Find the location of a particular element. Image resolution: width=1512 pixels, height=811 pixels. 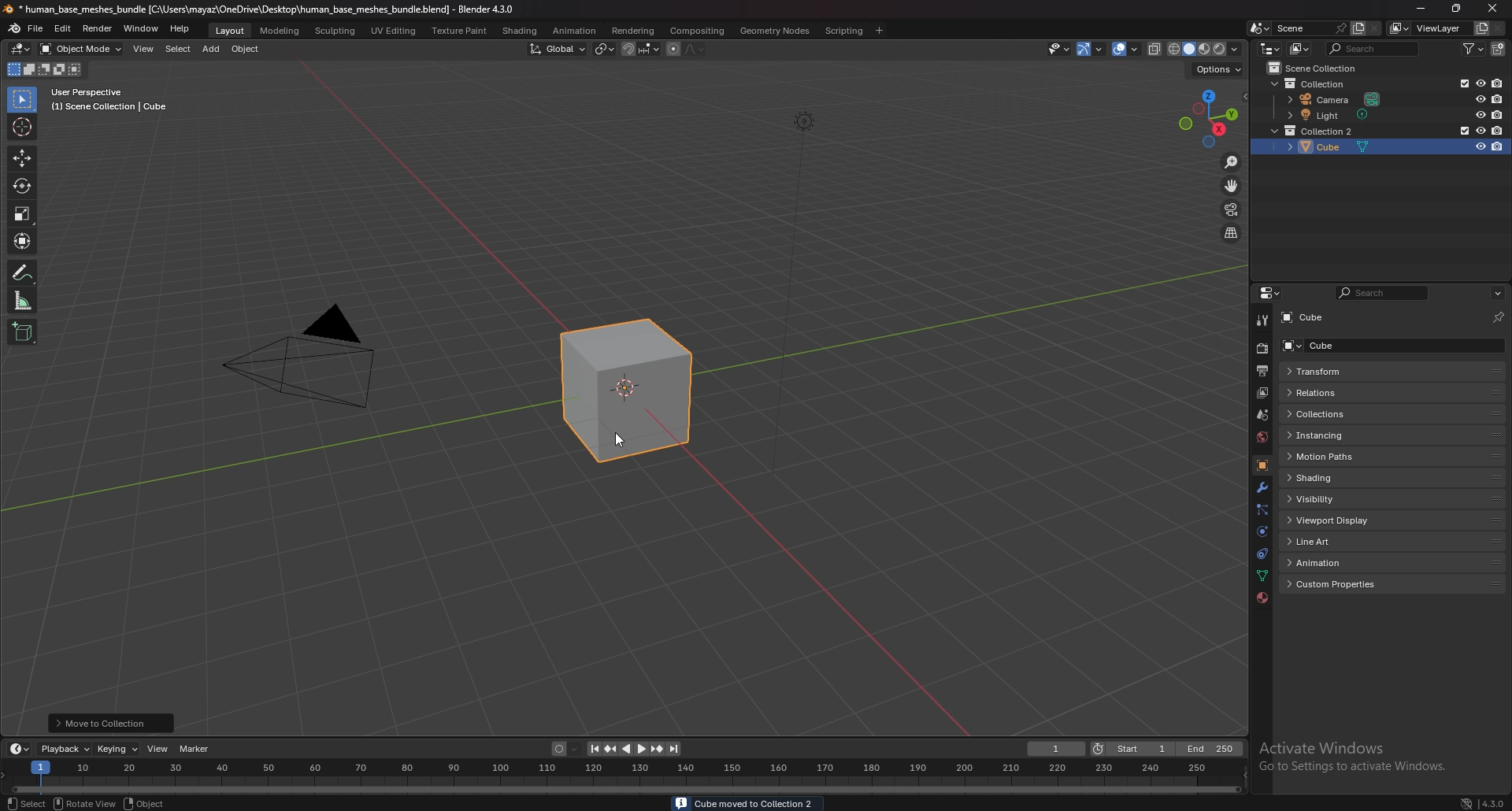

lighting is located at coordinates (804, 121).